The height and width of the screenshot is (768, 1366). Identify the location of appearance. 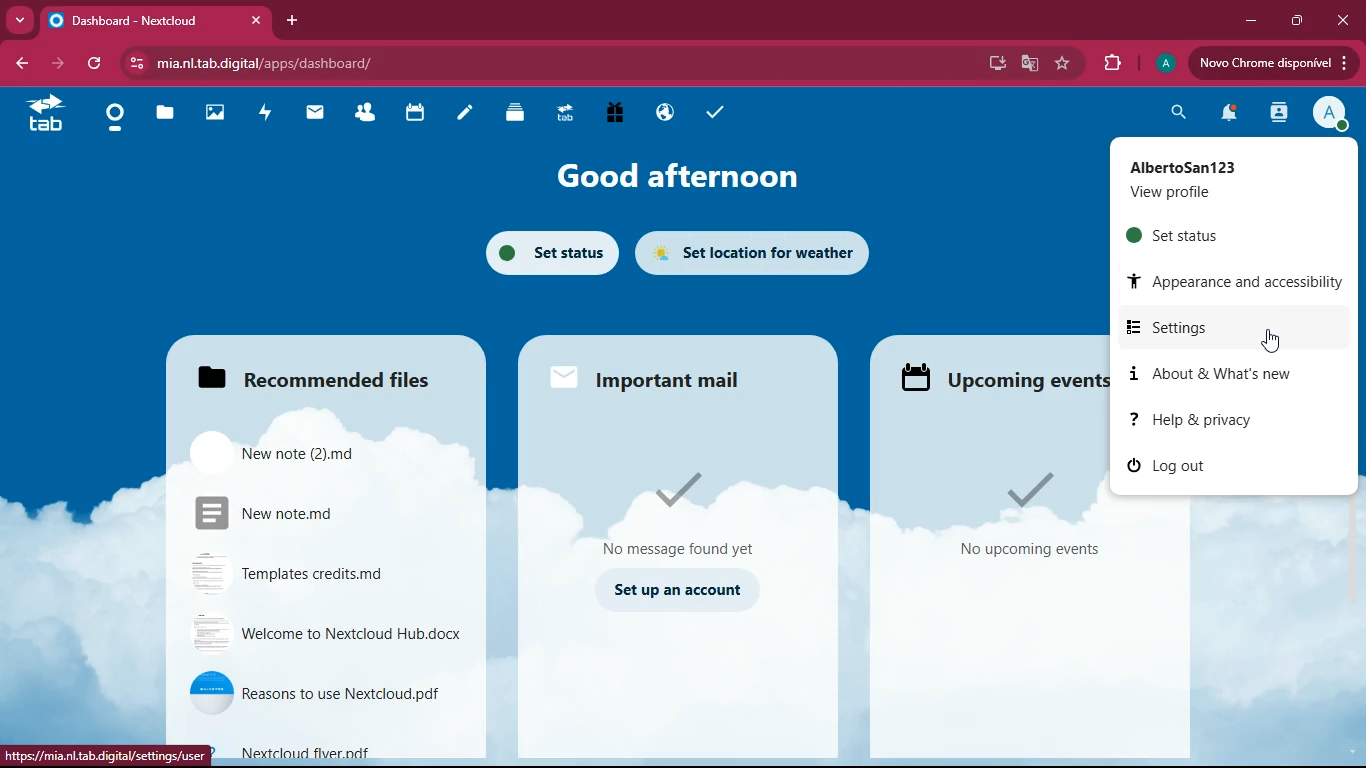
(1238, 281).